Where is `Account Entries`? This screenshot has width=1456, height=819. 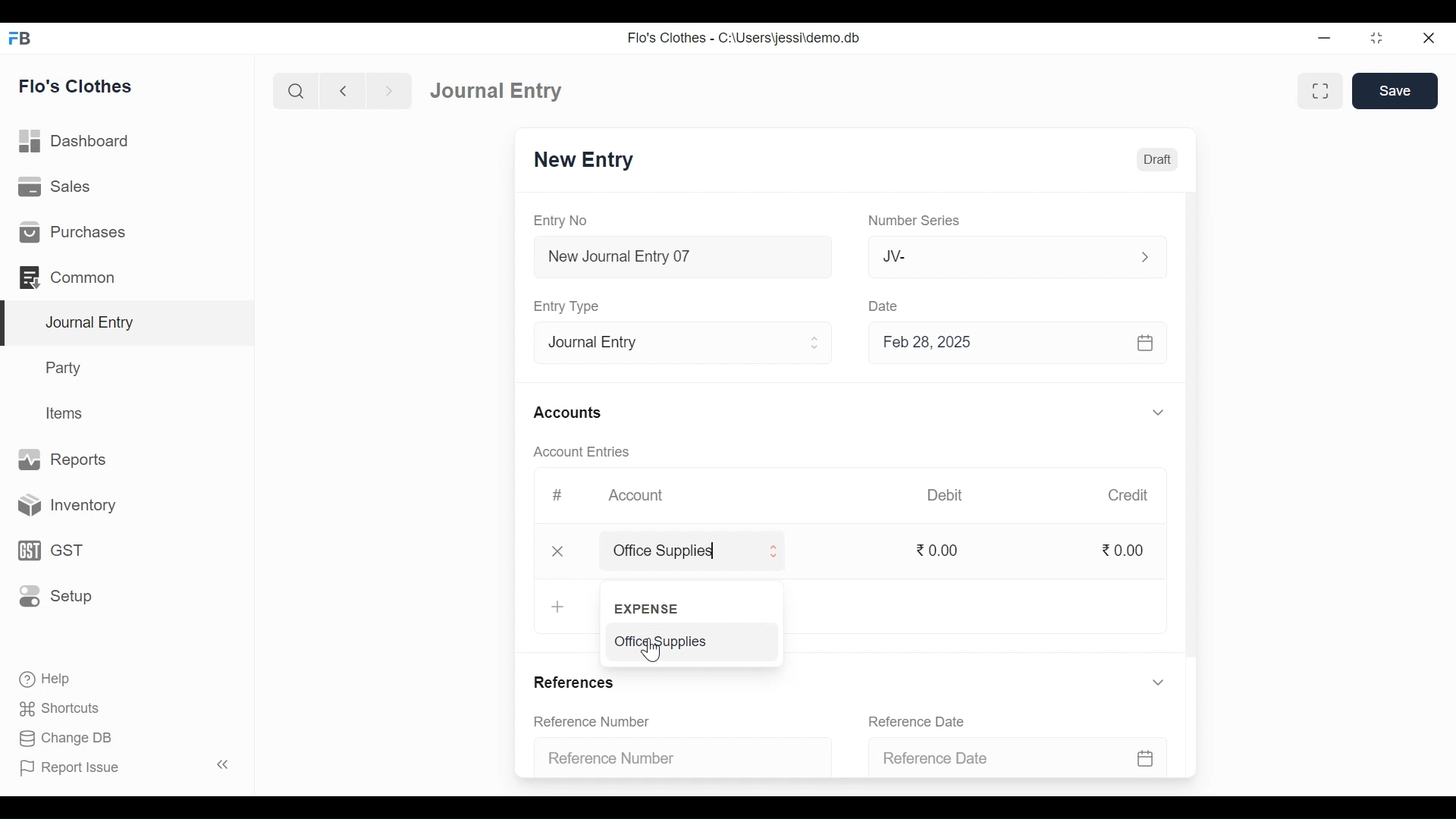 Account Entries is located at coordinates (581, 451).